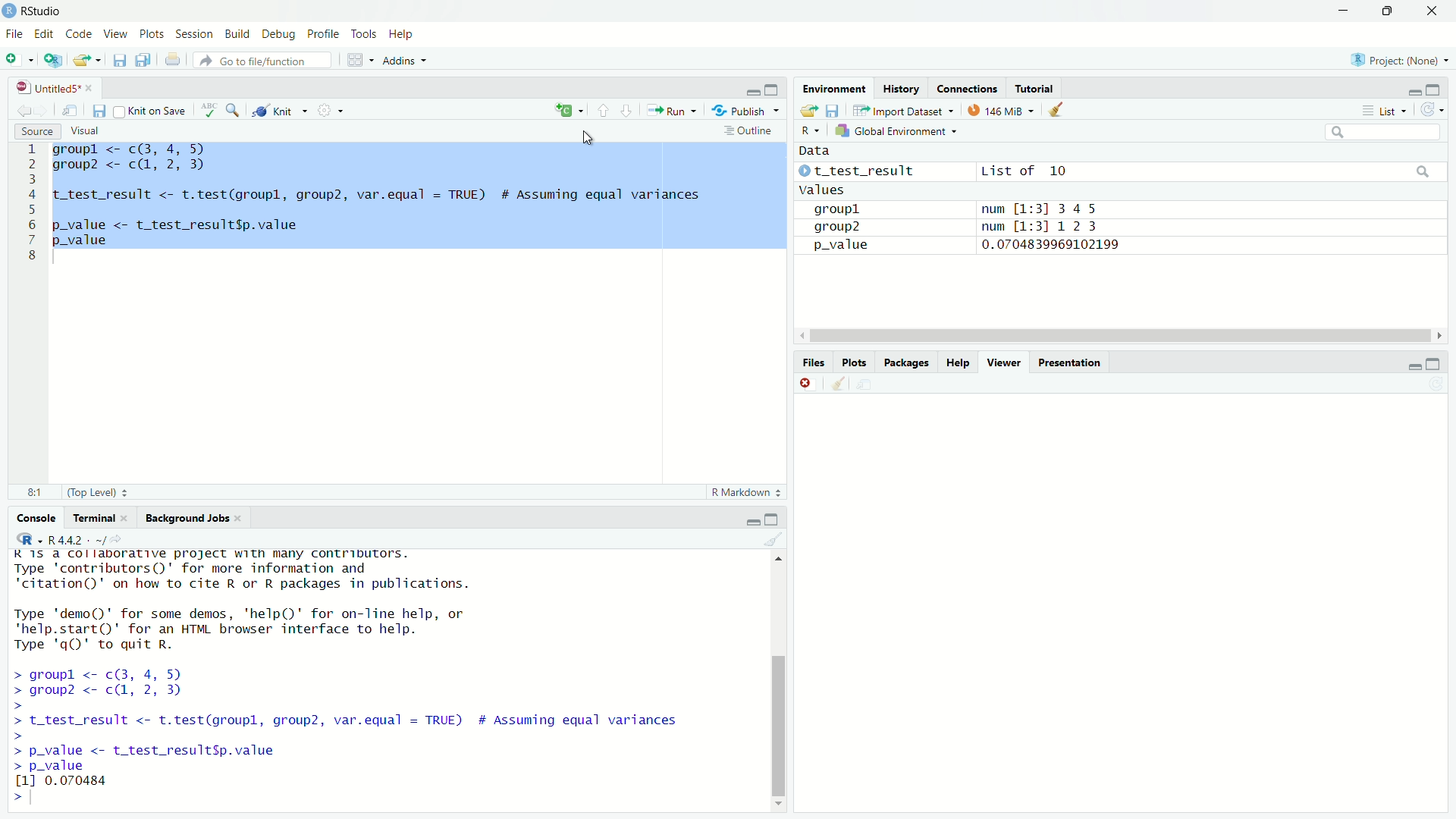 The image size is (1456, 819). What do you see at coordinates (811, 131) in the screenshot?
I see `` at bounding box center [811, 131].